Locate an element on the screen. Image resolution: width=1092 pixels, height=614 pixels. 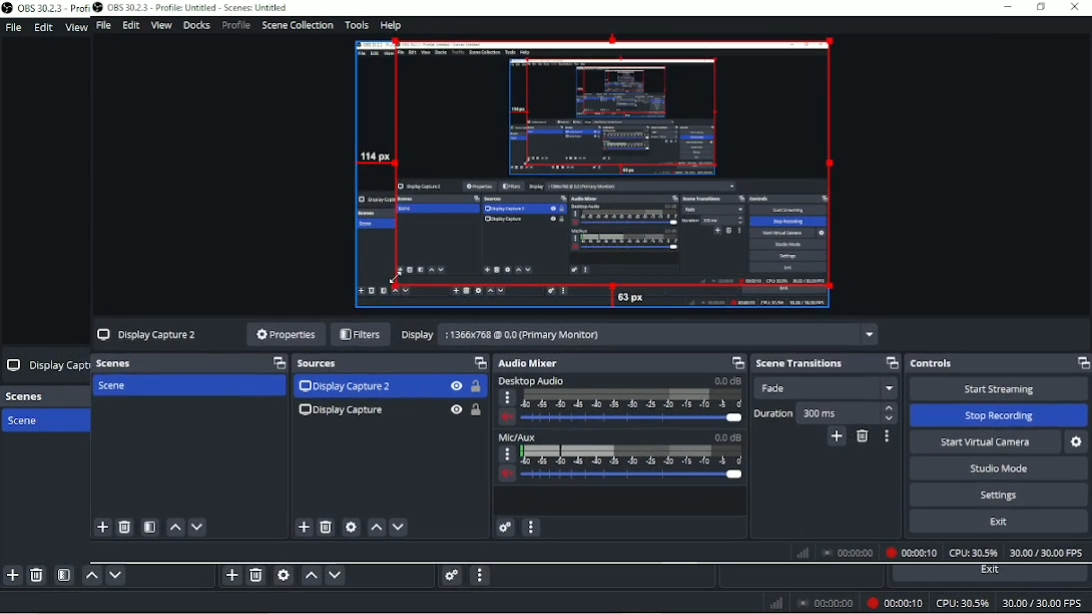
30.00/30.00 FPS is located at coordinates (1044, 552).